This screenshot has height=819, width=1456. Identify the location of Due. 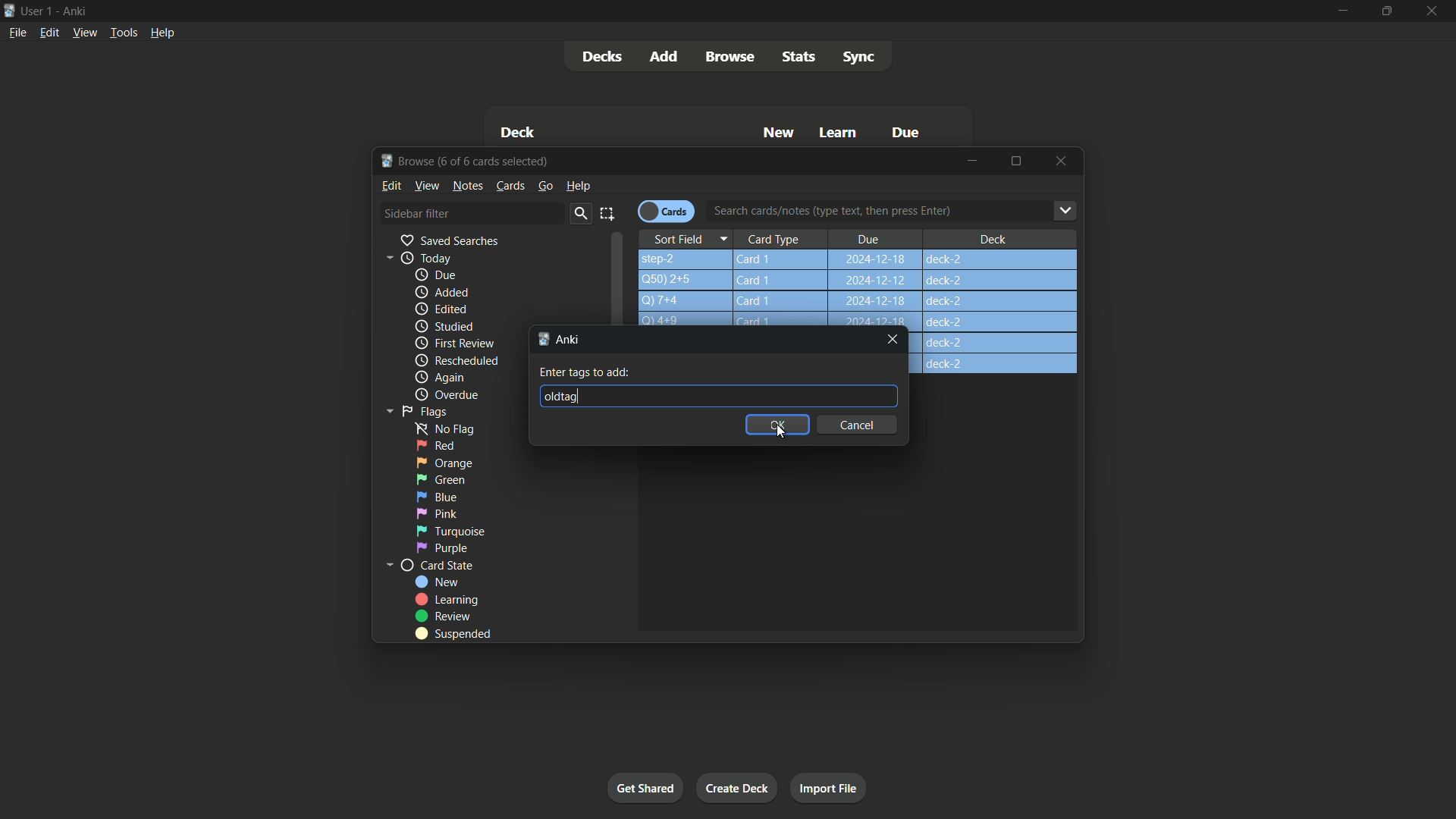
(903, 132).